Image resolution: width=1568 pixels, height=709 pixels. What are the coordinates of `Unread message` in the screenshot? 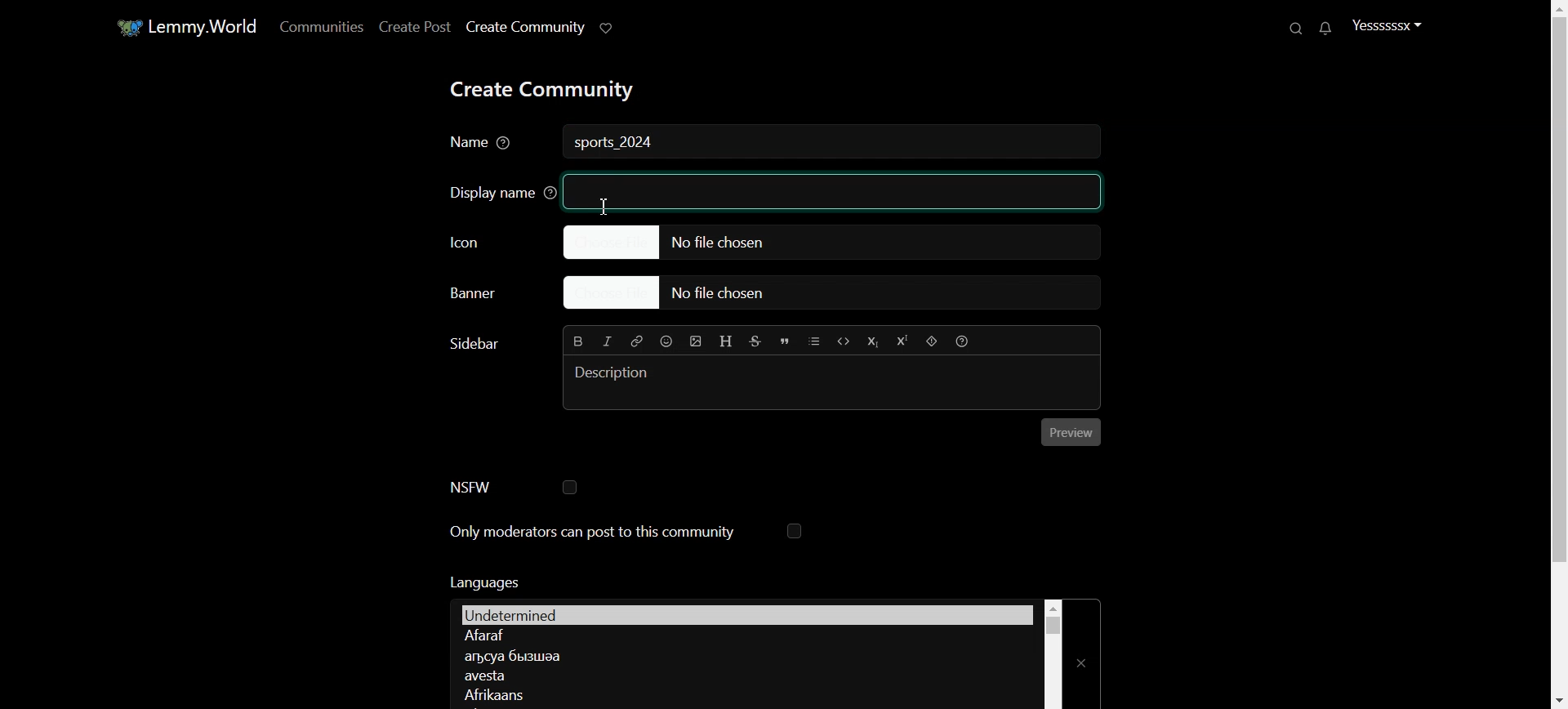 It's located at (1324, 29).